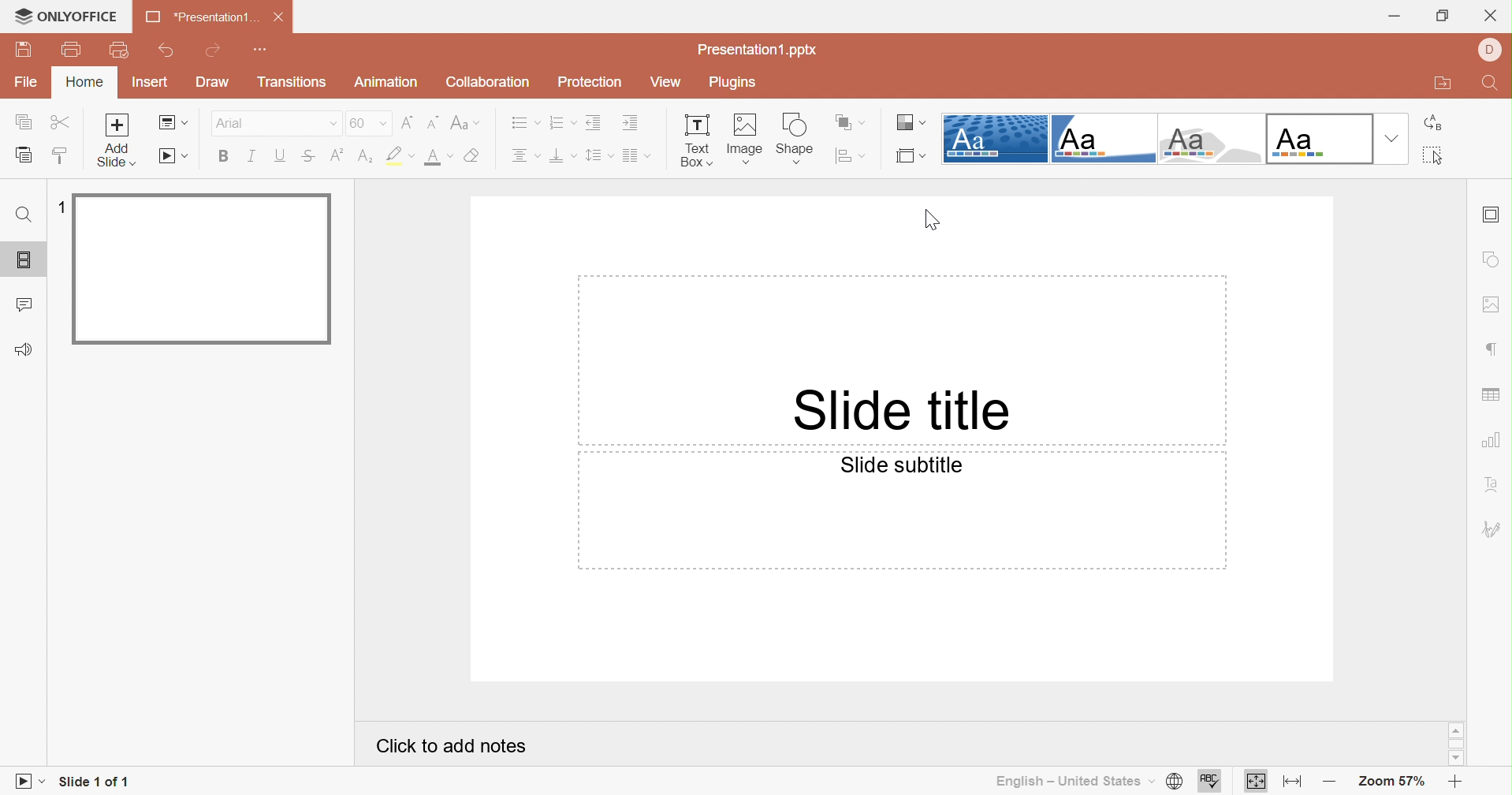 Image resolution: width=1512 pixels, height=795 pixels. Describe the element at coordinates (850, 123) in the screenshot. I see `Arrange shape` at that location.